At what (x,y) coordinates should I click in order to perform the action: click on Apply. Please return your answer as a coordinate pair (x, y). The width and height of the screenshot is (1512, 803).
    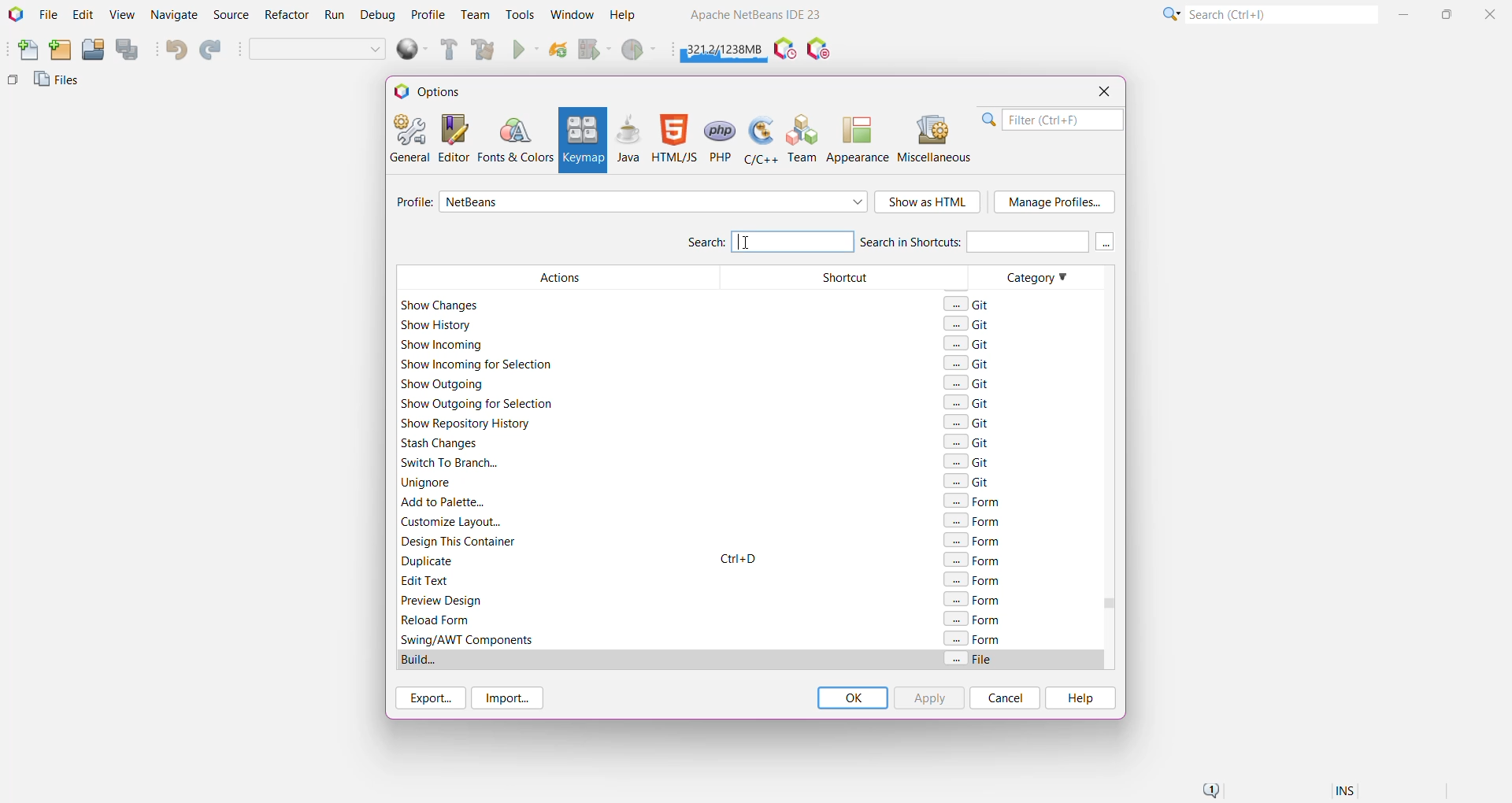
    Looking at the image, I should click on (928, 698).